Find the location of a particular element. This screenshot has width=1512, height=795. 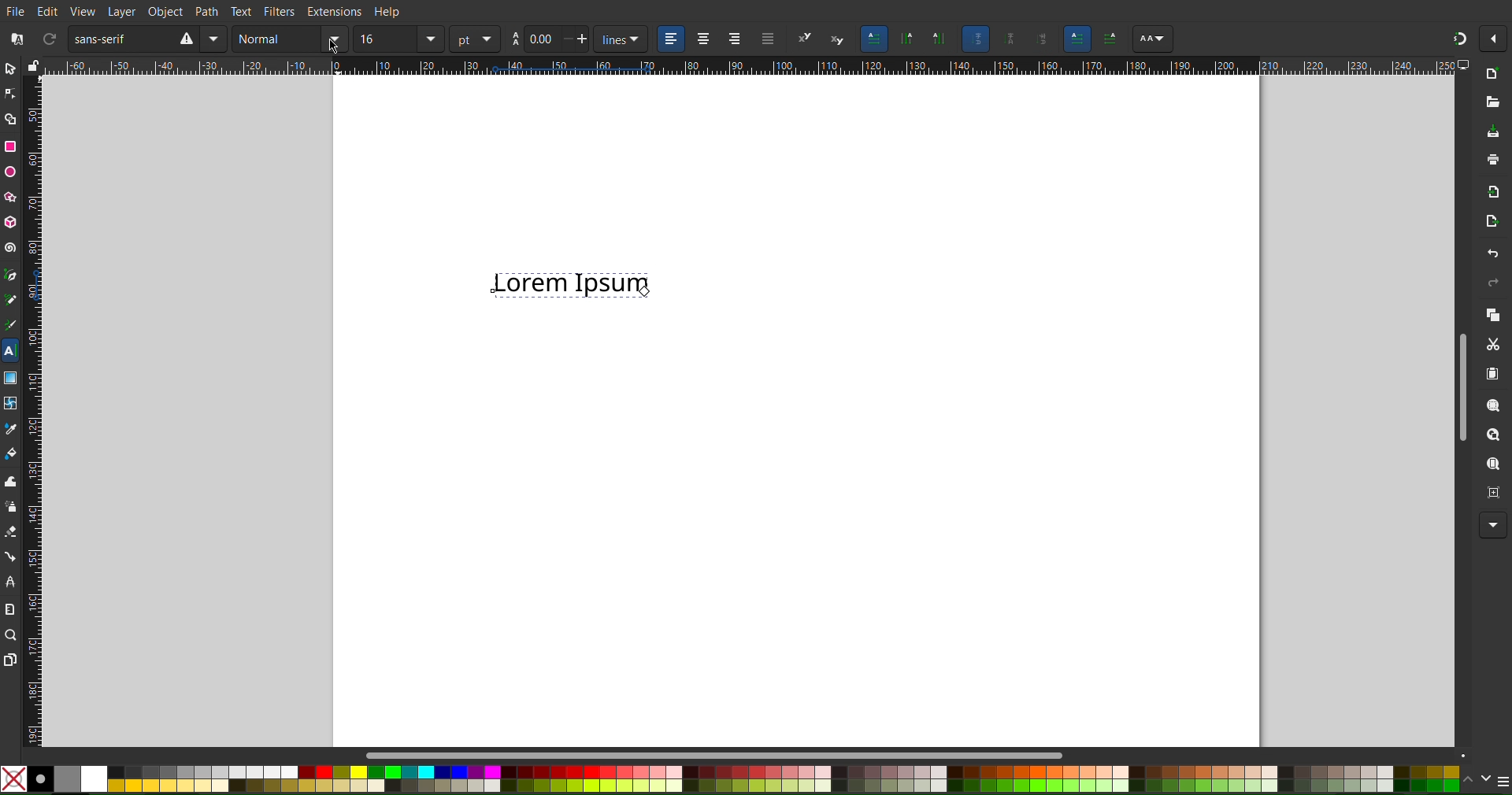

Select is located at coordinates (11, 68).